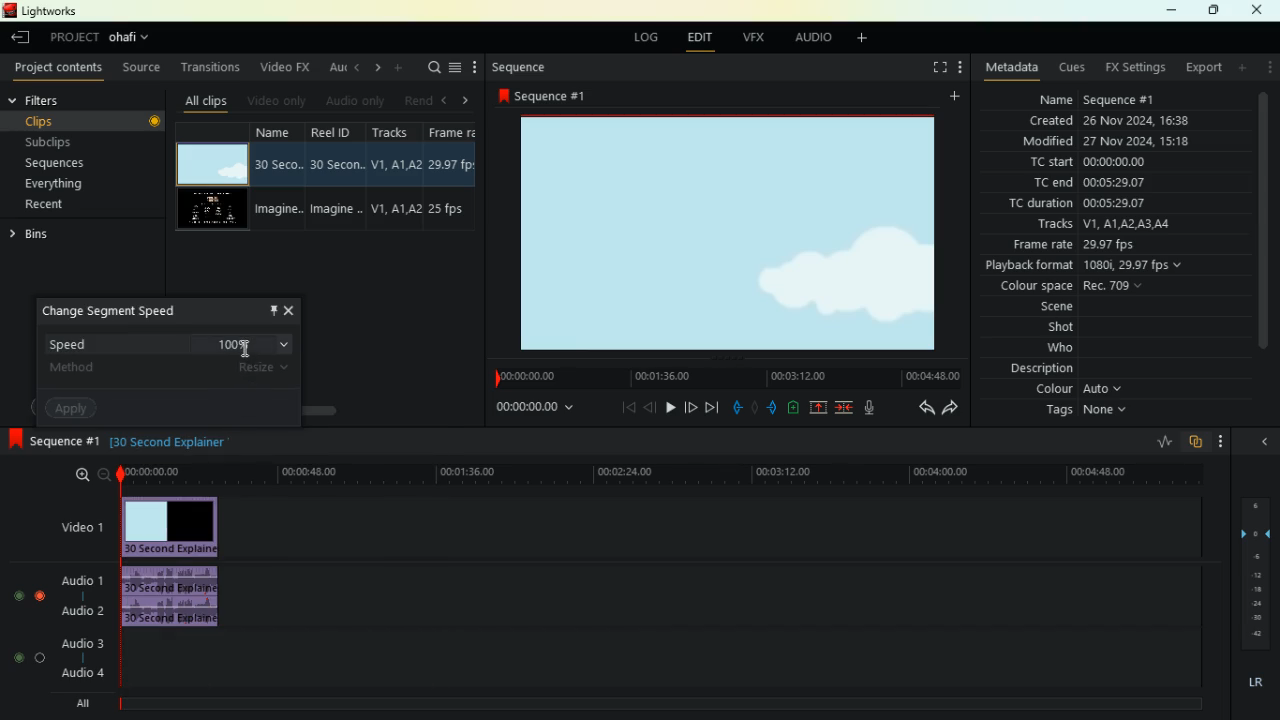 The height and width of the screenshot is (720, 1280). What do you see at coordinates (792, 409) in the screenshot?
I see `battery` at bounding box center [792, 409].